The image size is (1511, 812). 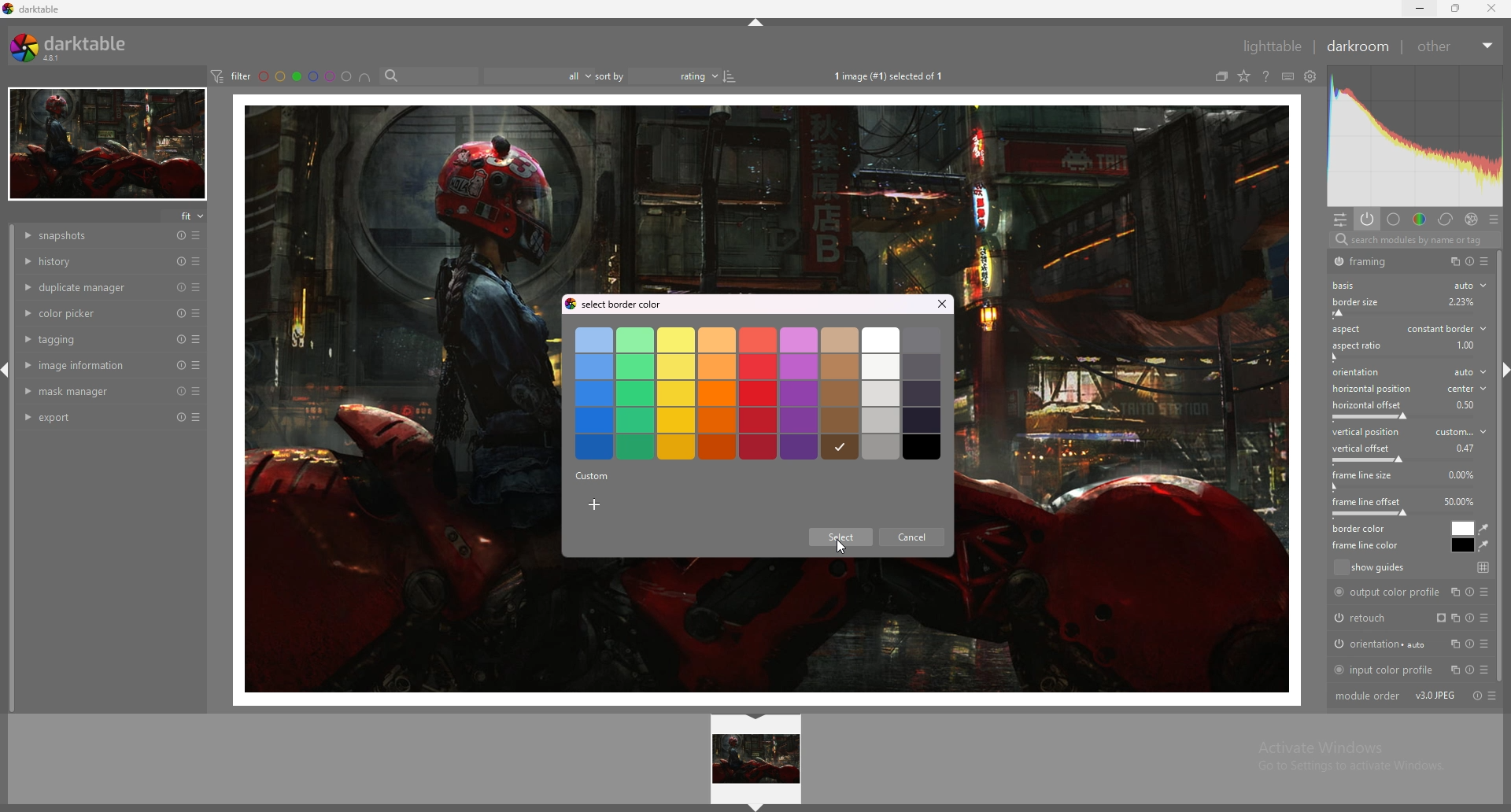 I want to click on frame line size bar, so click(x=1402, y=488).